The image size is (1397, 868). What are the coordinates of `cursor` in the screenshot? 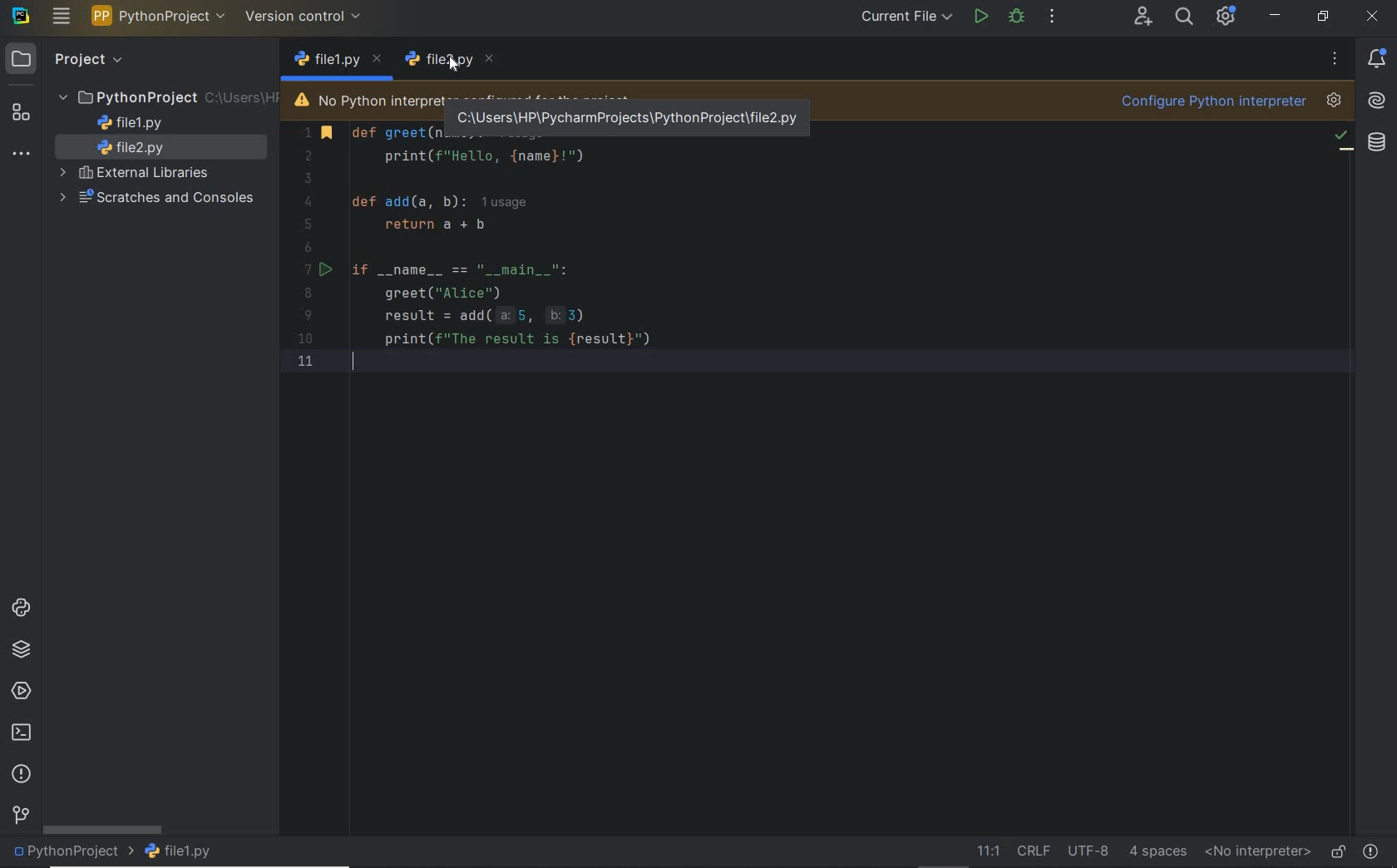 It's located at (455, 64).